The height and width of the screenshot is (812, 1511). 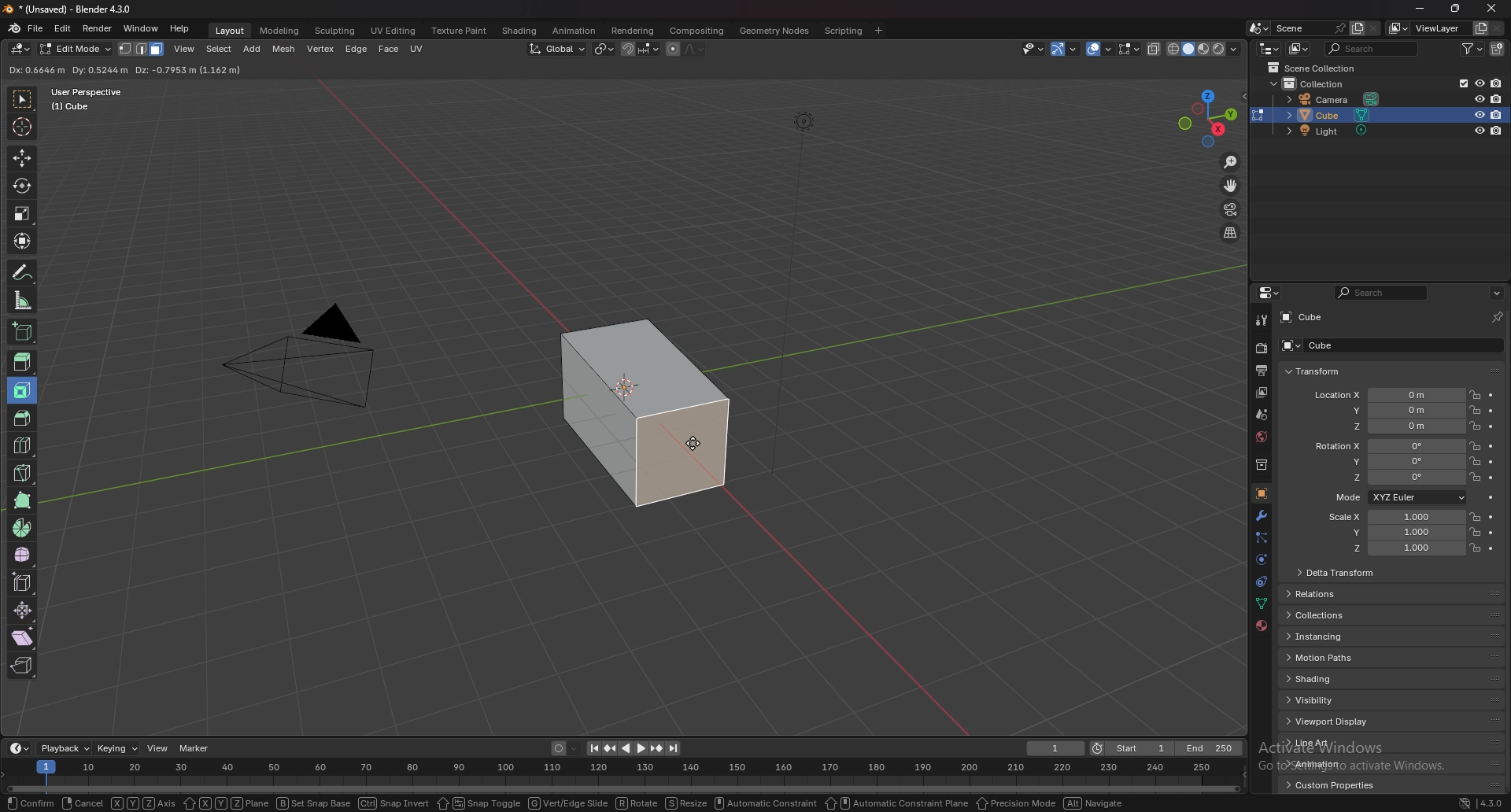 What do you see at coordinates (336, 31) in the screenshot?
I see `sculpting` at bounding box center [336, 31].